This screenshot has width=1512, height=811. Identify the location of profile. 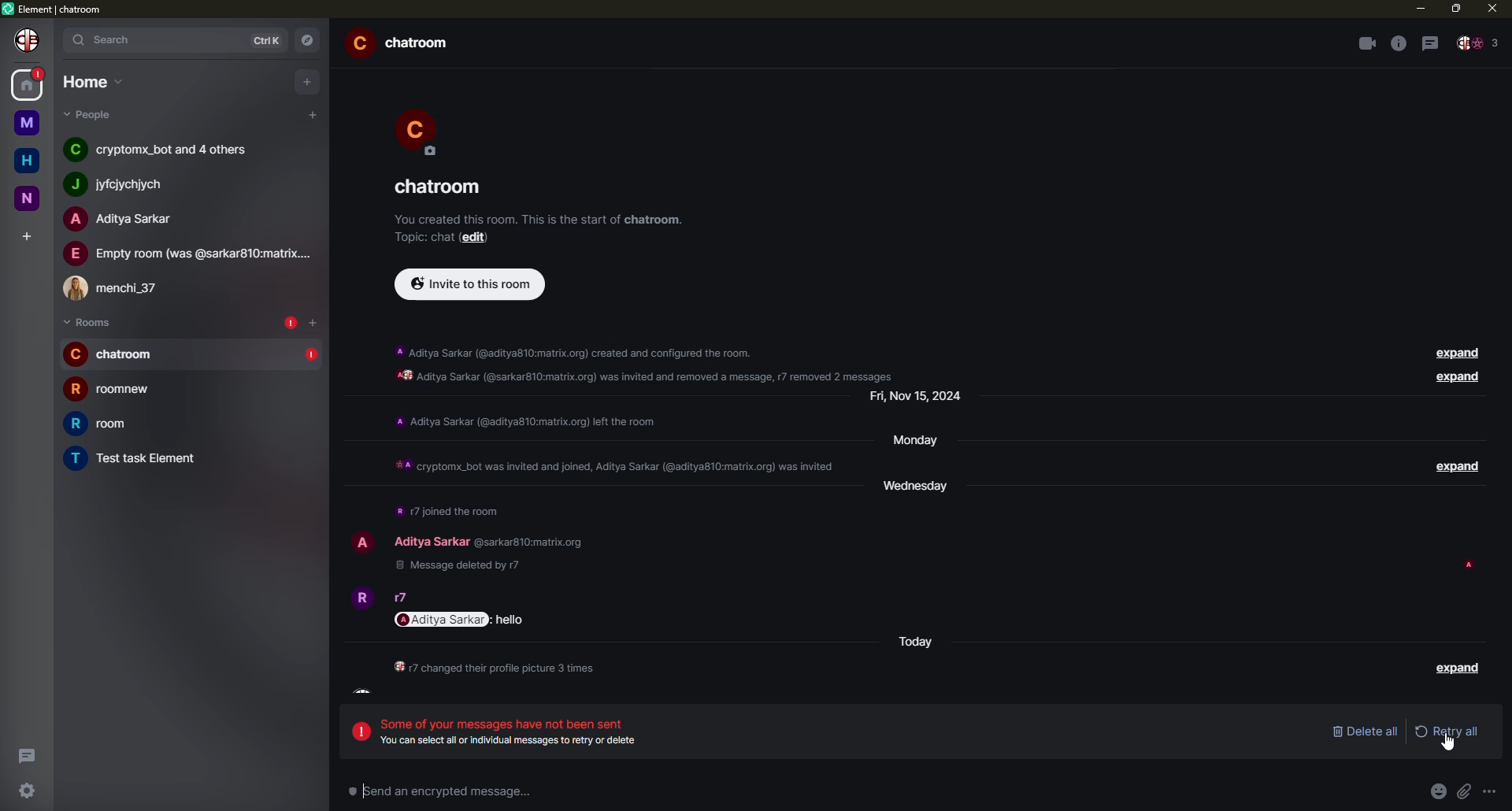
(360, 602).